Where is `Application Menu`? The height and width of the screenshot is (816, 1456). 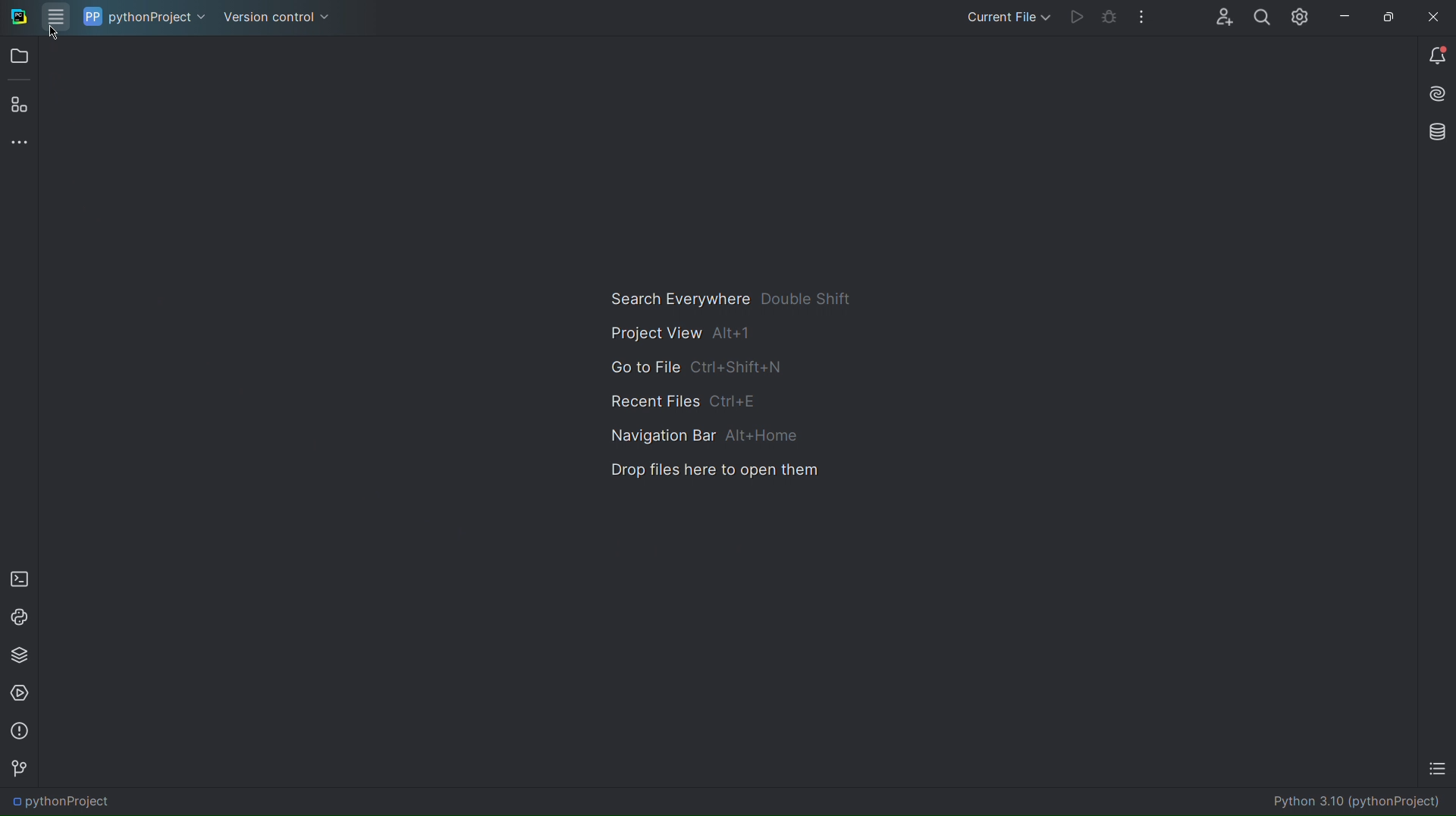 Application Menu is located at coordinates (55, 17).